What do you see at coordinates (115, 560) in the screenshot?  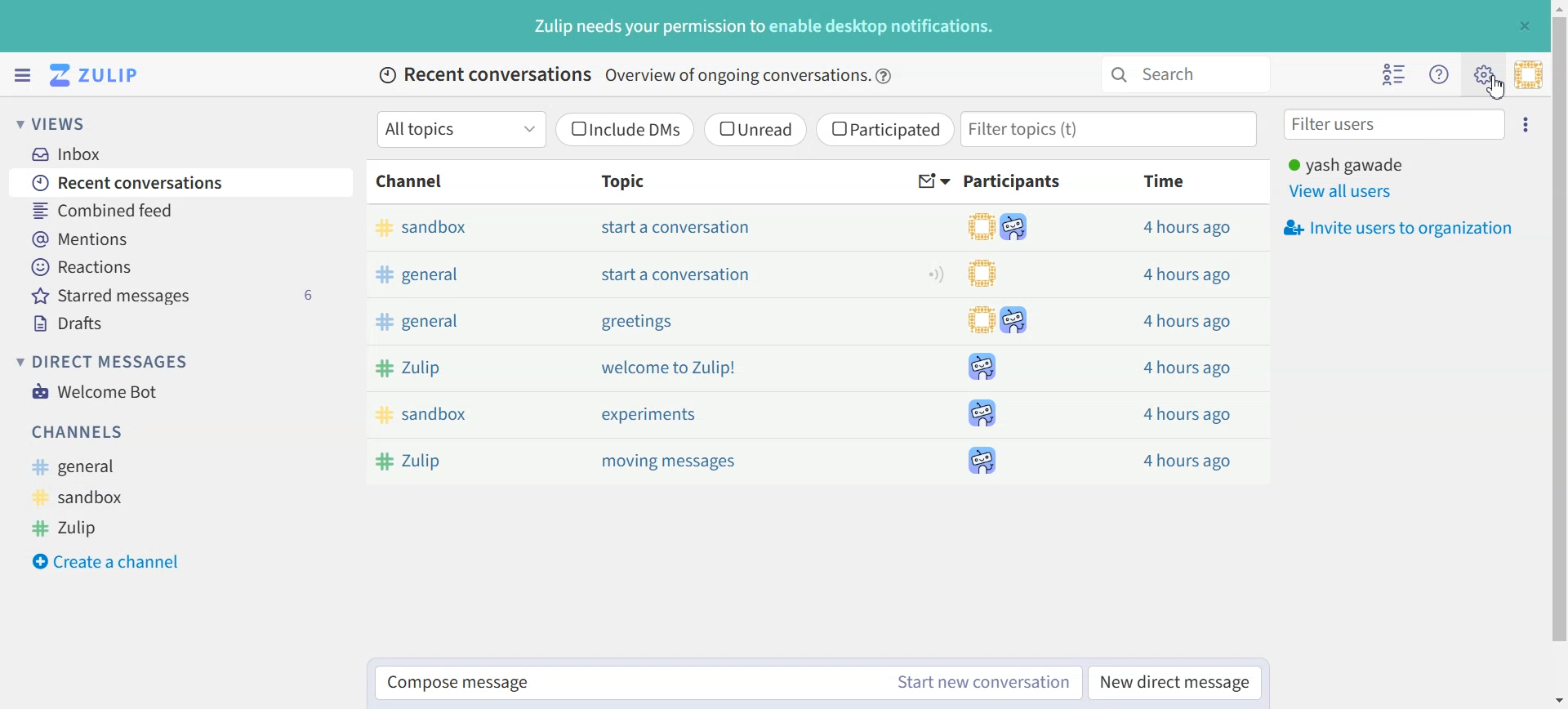 I see `Create a channel` at bounding box center [115, 560].